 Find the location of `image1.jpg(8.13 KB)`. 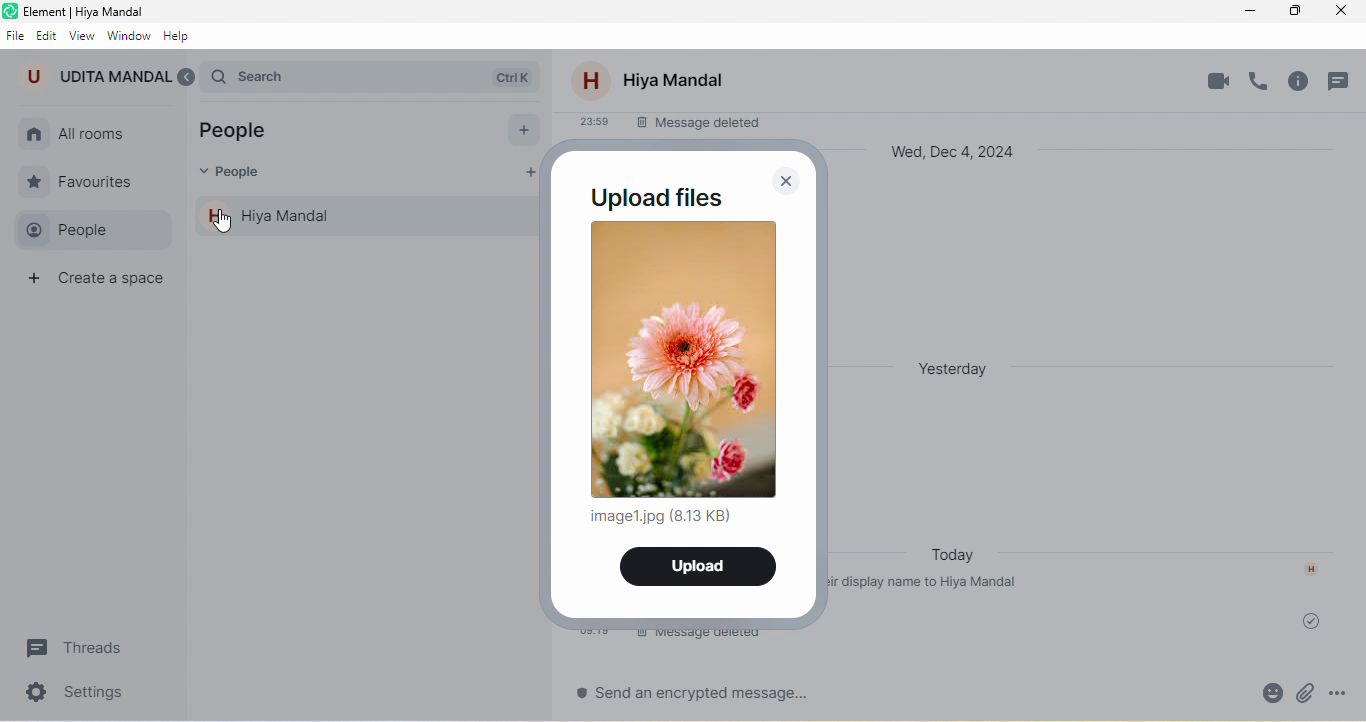

image1.jpg(8.13 KB) is located at coordinates (660, 515).